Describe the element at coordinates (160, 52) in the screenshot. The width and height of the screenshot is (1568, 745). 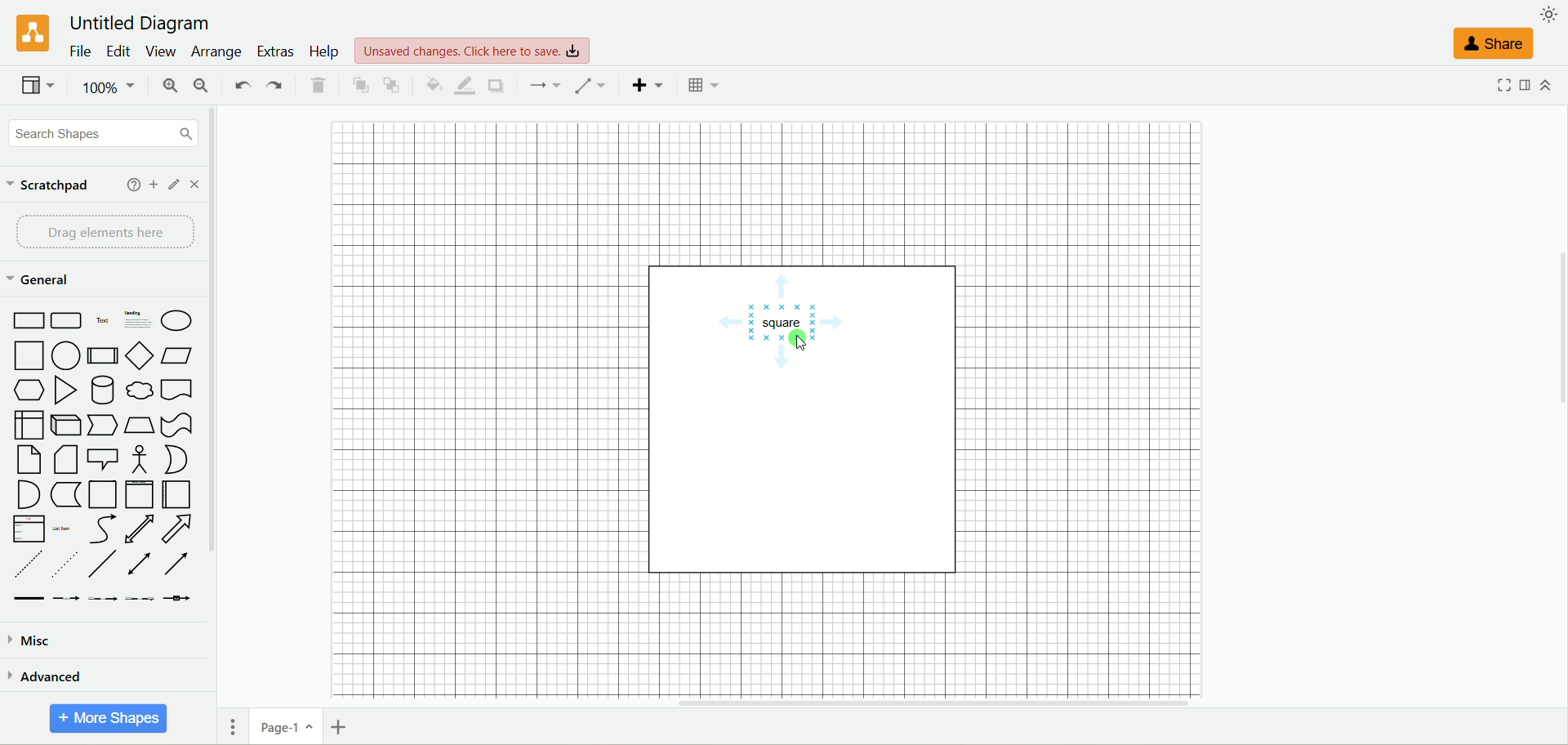
I see `view` at that location.